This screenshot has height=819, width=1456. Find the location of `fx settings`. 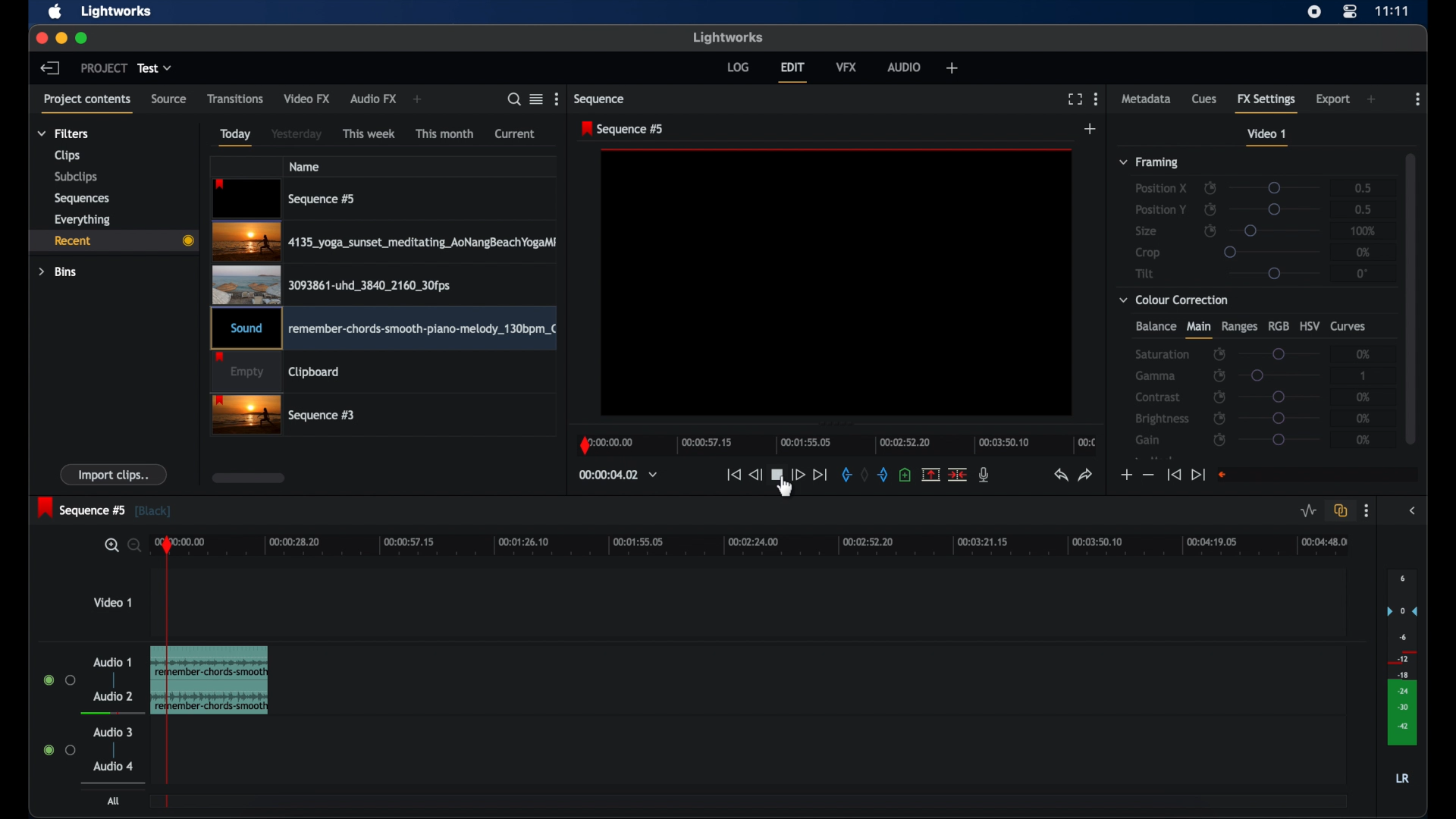

fx settings is located at coordinates (1266, 102).